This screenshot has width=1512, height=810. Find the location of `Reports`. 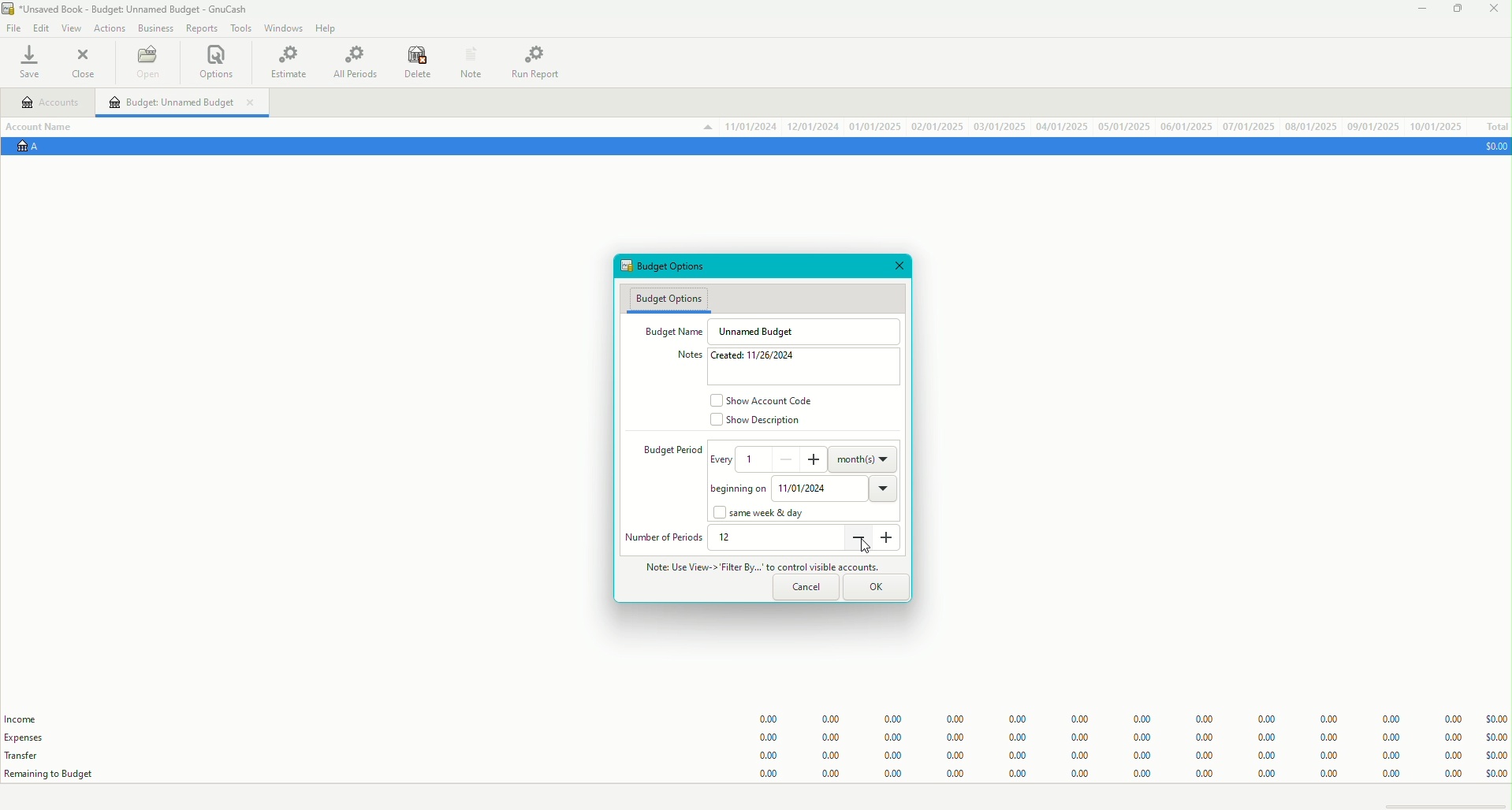

Reports is located at coordinates (202, 29).